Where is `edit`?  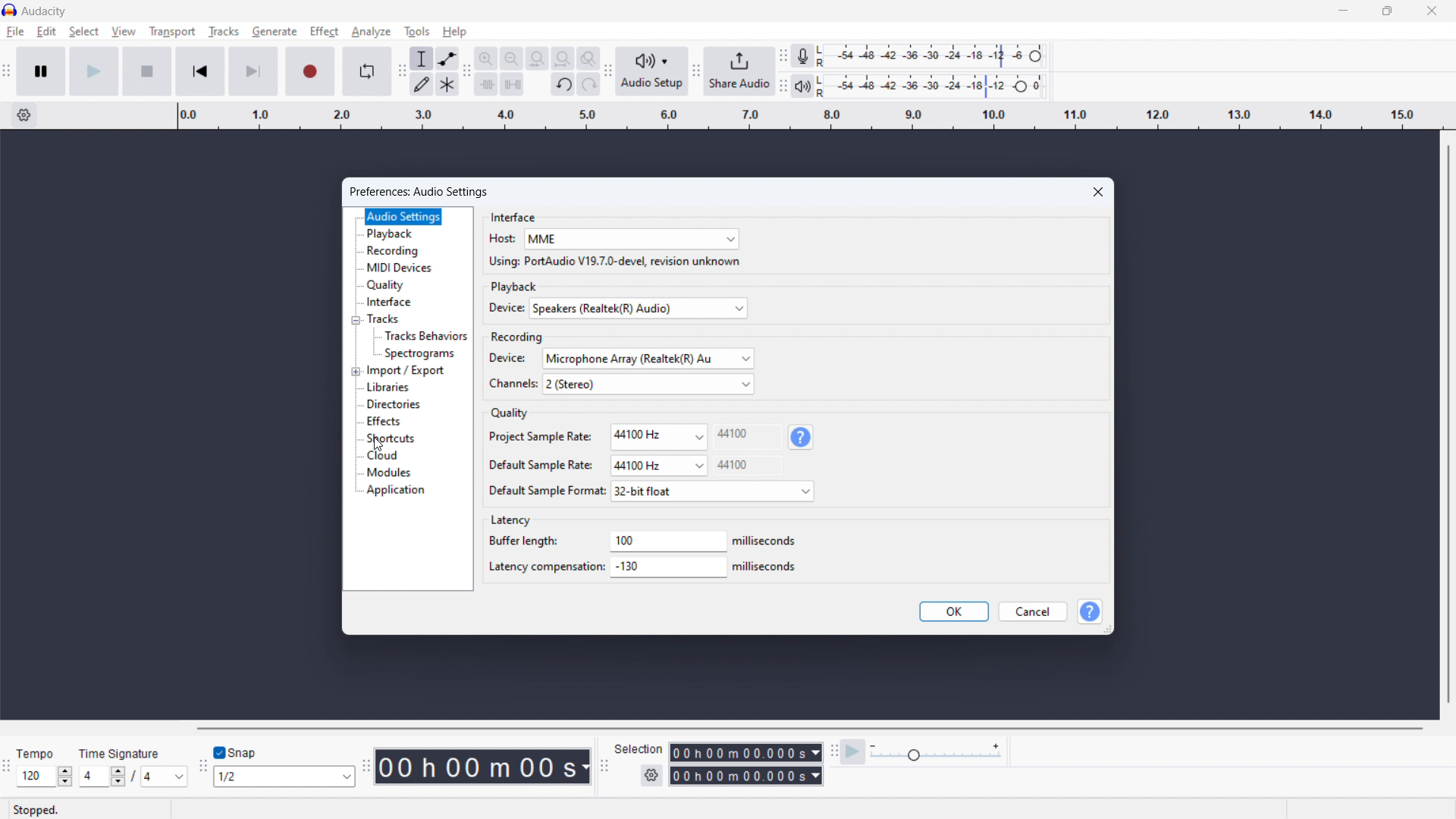 edit is located at coordinates (47, 31).